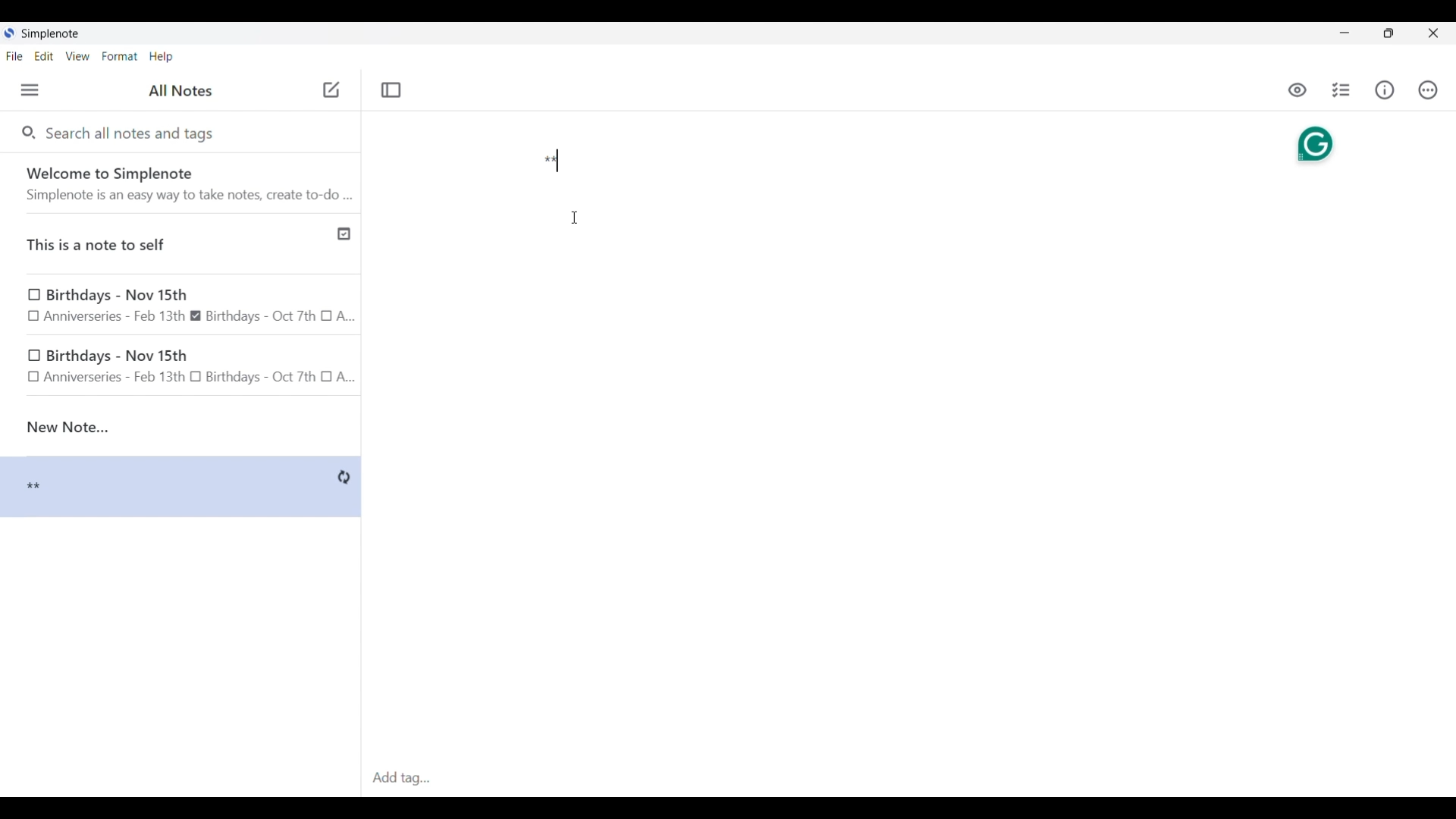 Image resolution: width=1456 pixels, height=819 pixels. I want to click on Cursor position unchanged, so click(575, 218).